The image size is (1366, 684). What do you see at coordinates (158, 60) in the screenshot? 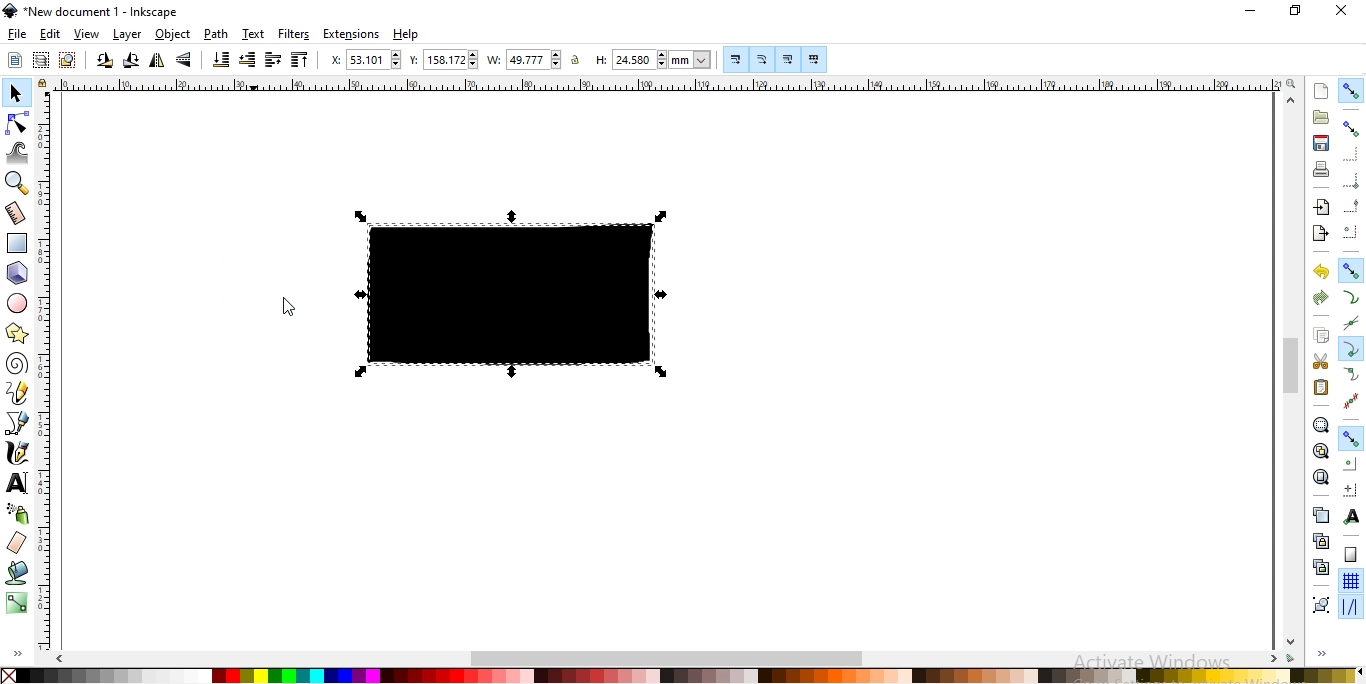
I see `flip selected objects horizontally` at bounding box center [158, 60].